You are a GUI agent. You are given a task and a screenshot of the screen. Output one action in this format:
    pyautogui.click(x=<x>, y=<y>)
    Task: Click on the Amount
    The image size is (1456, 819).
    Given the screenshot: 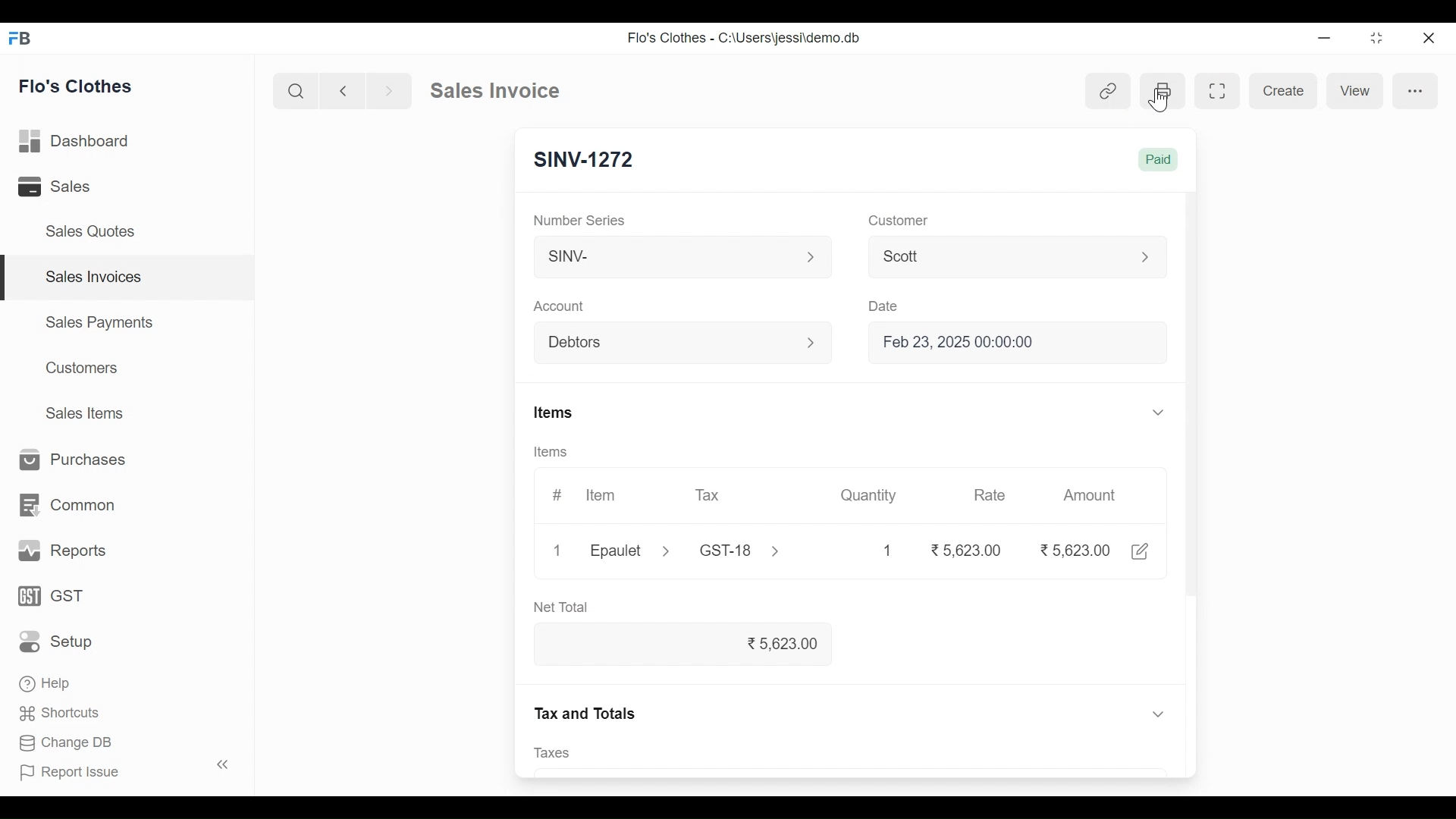 What is the action you would take?
    pyautogui.click(x=1088, y=493)
    